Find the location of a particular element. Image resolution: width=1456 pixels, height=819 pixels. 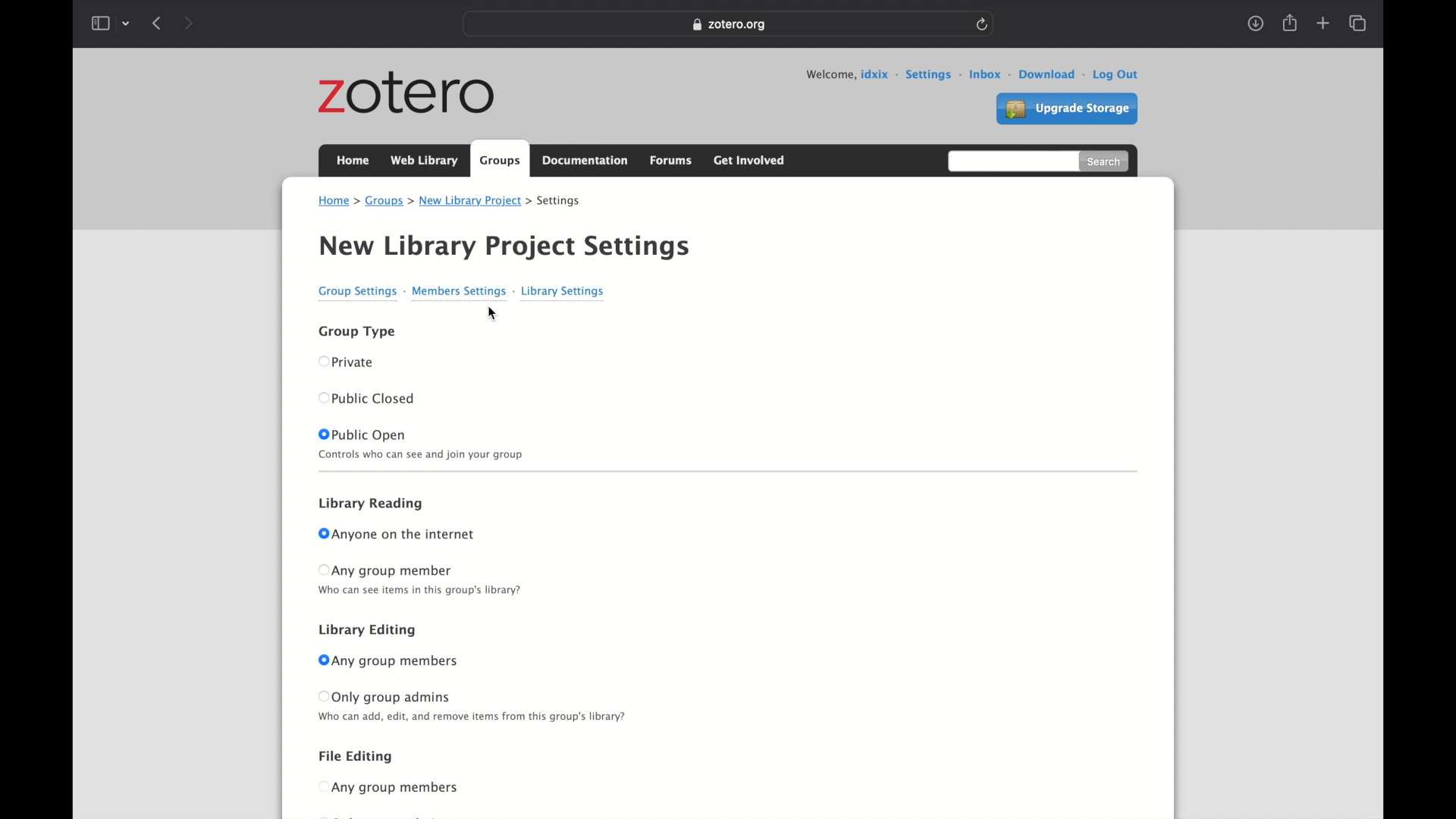

button is located at coordinates (322, 534).